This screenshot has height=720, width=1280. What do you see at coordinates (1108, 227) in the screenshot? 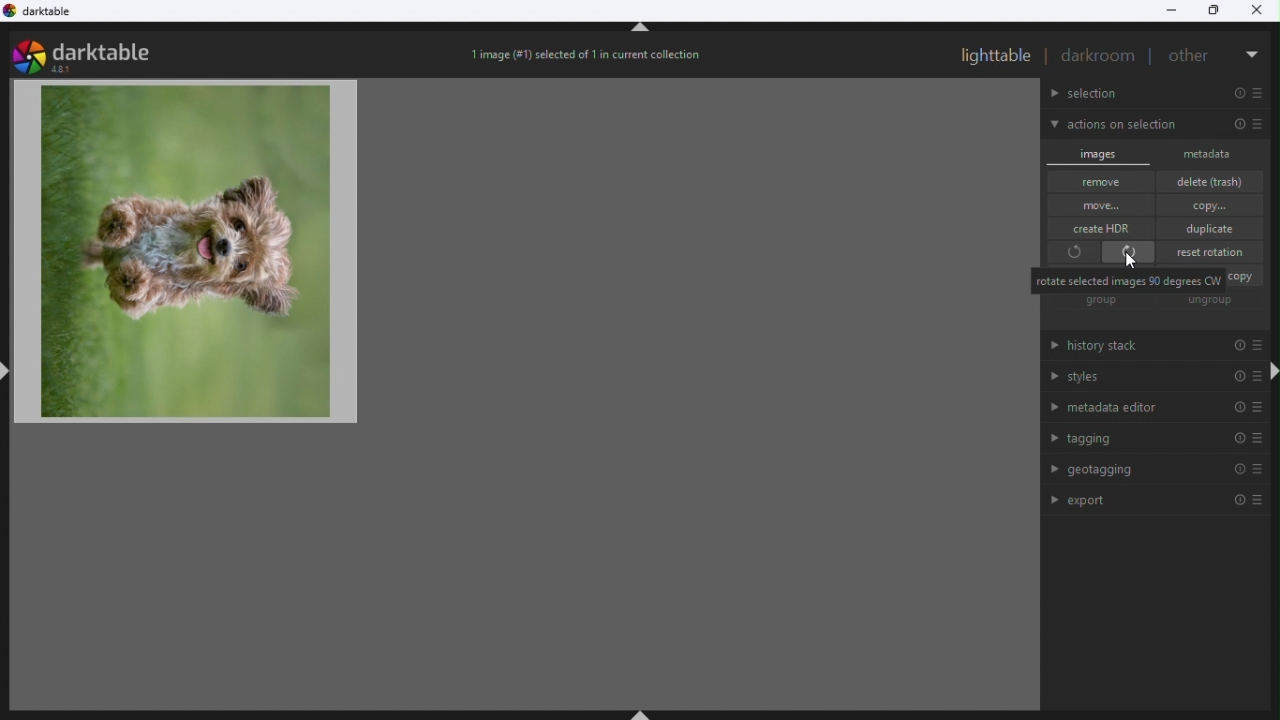
I see `Create HDr` at bounding box center [1108, 227].